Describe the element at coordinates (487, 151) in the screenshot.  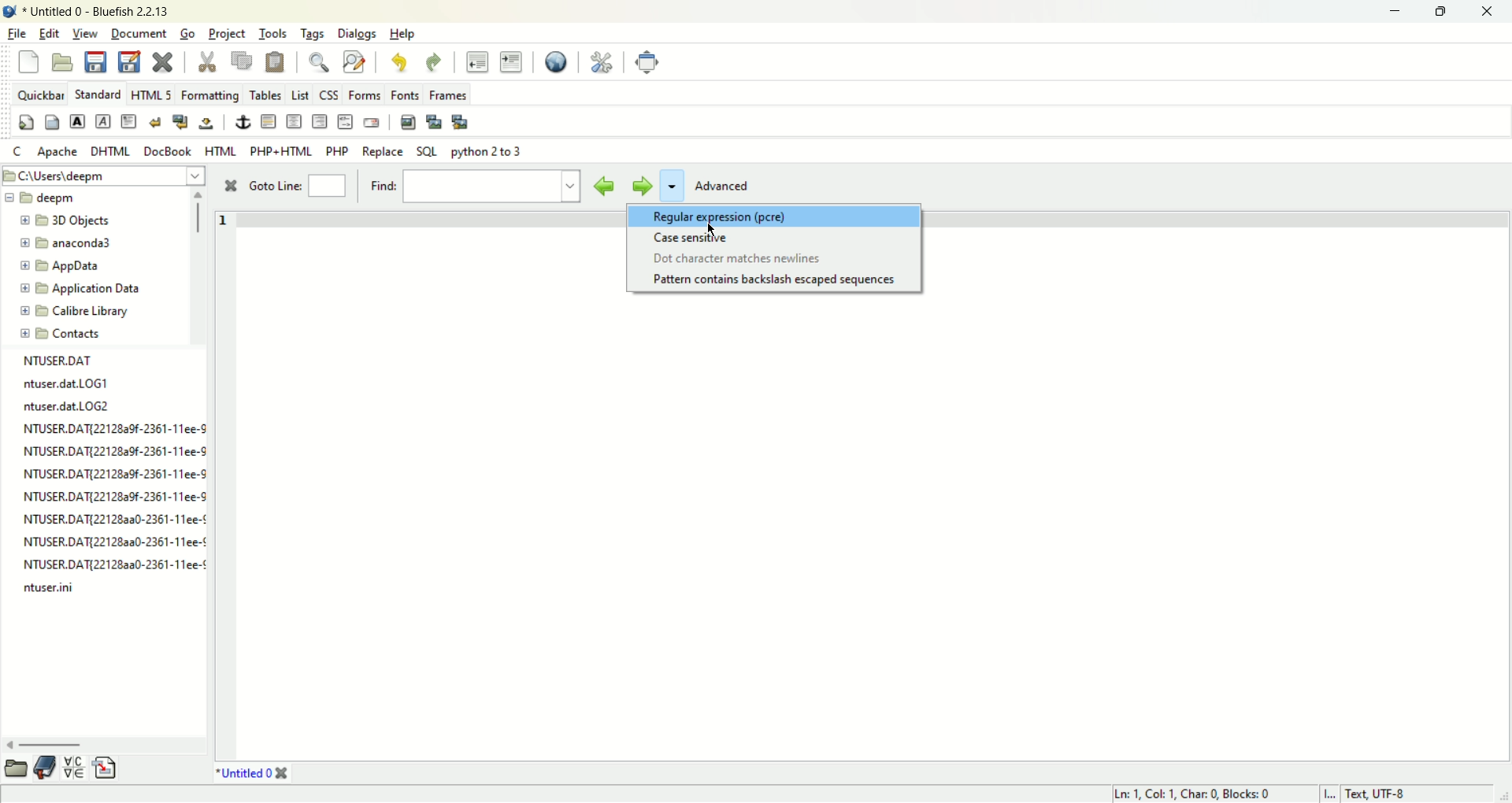
I see `python 2 to 3` at that location.